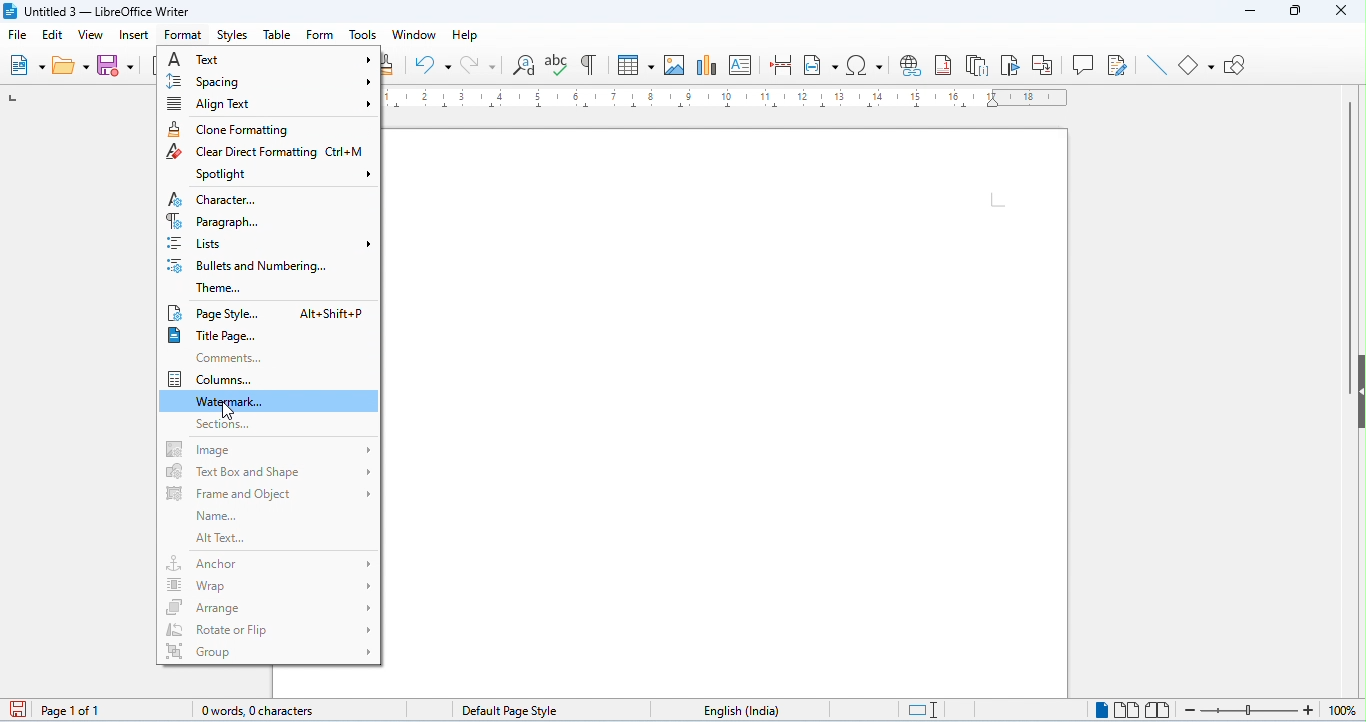  I want to click on show draw functions, so click(1236, 67).